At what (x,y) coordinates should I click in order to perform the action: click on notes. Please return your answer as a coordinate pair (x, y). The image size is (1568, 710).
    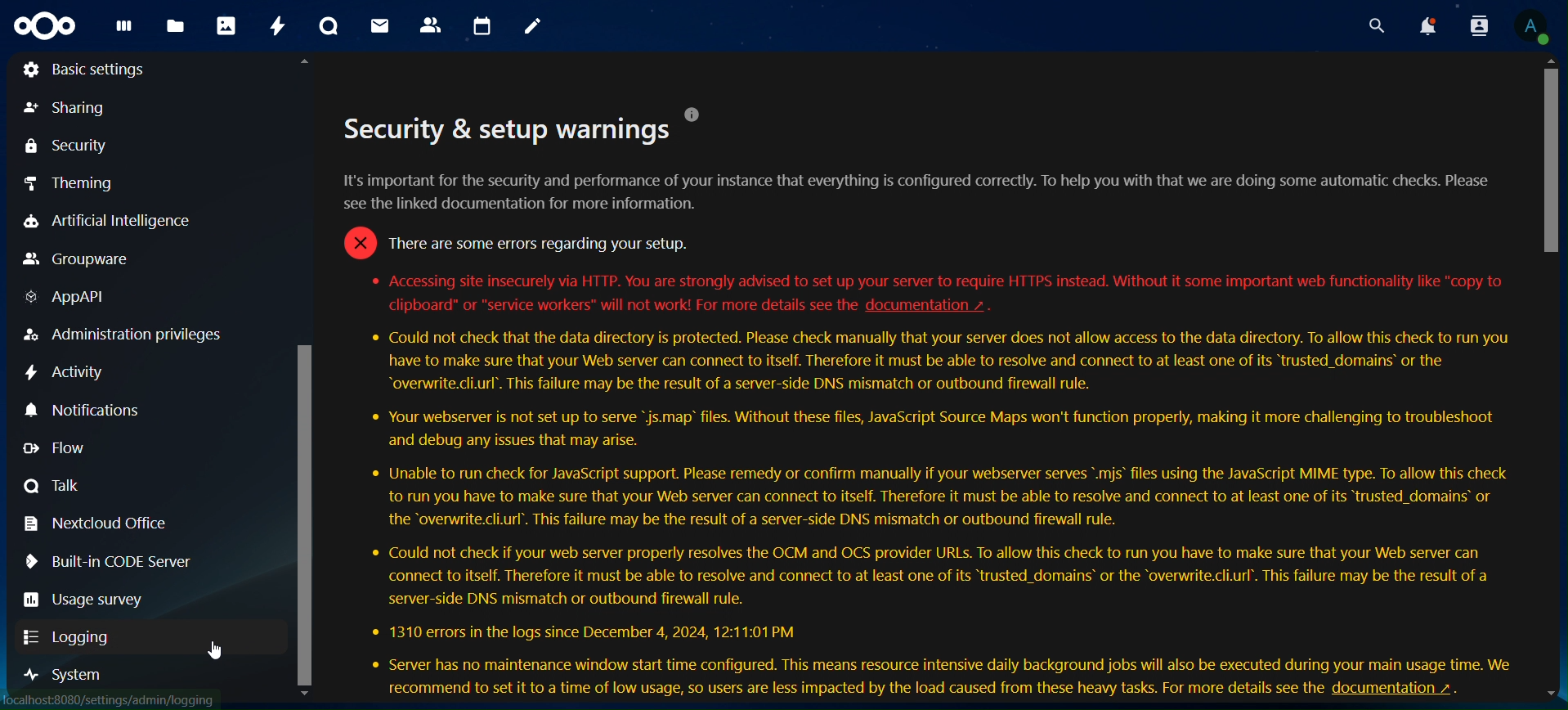
    Looking at the image, I should click on (533, 25).